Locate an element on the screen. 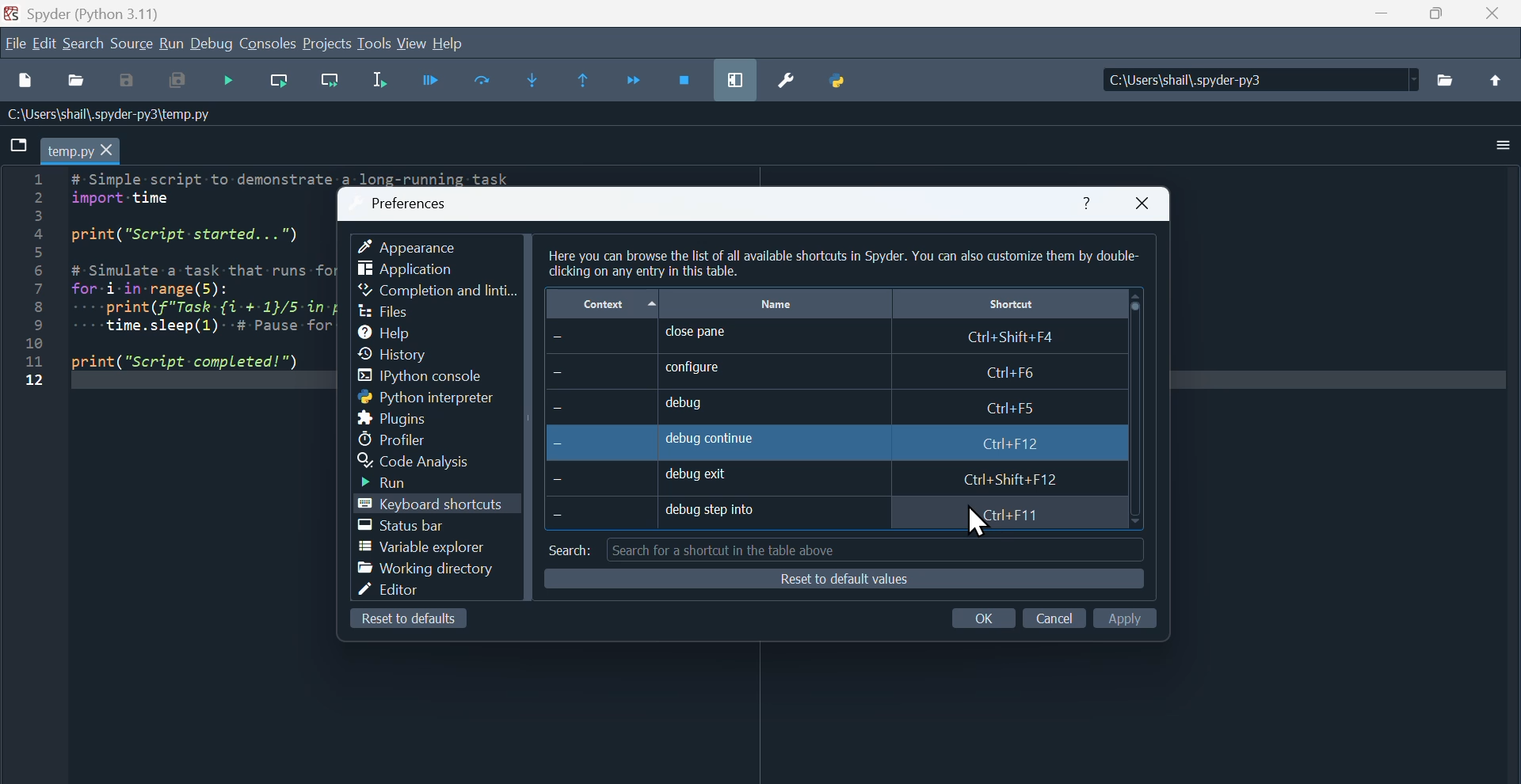  debug continue is located at coordinates (800, 442).